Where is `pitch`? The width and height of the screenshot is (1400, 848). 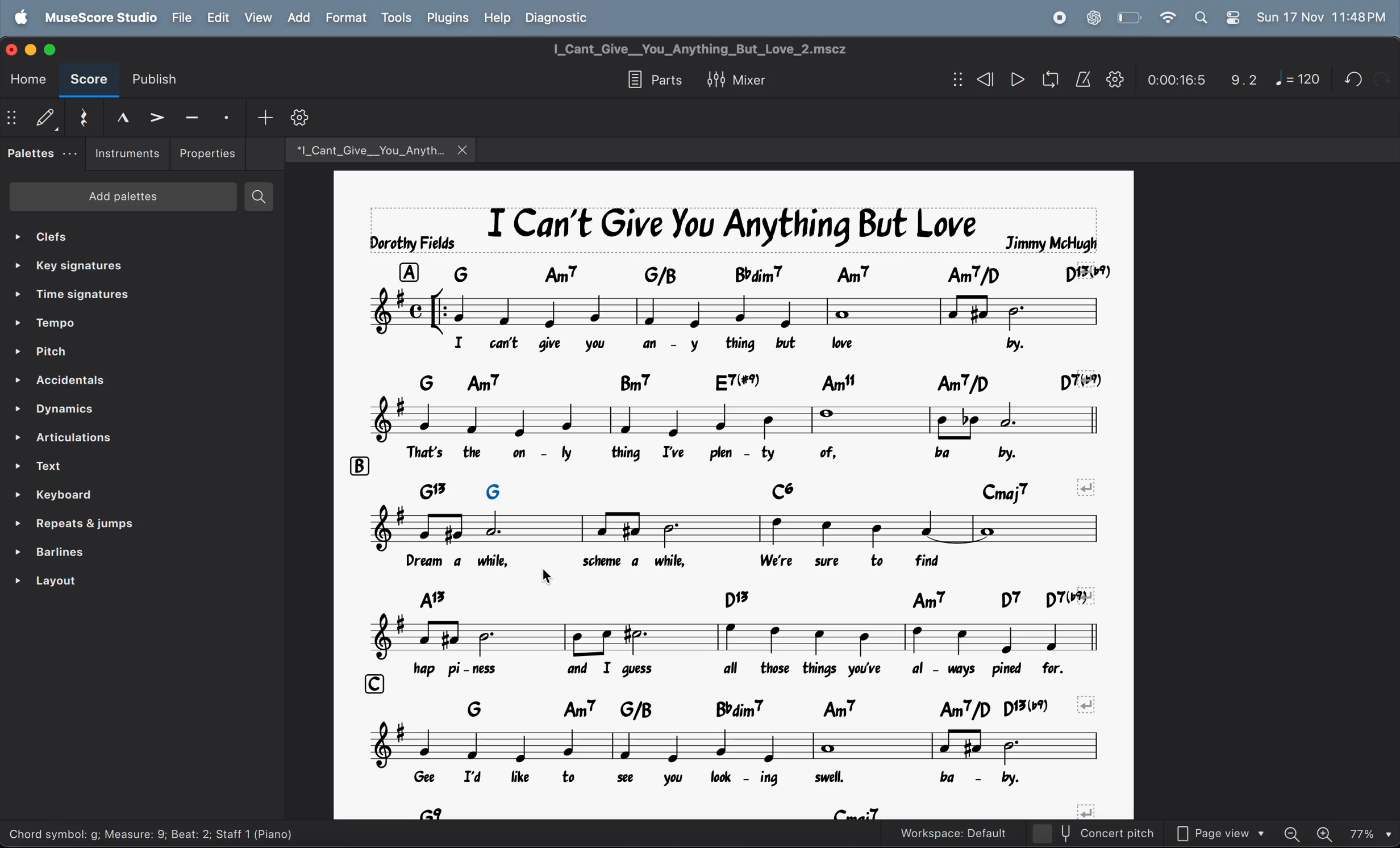 pitch is located at coordinates (129, 354).